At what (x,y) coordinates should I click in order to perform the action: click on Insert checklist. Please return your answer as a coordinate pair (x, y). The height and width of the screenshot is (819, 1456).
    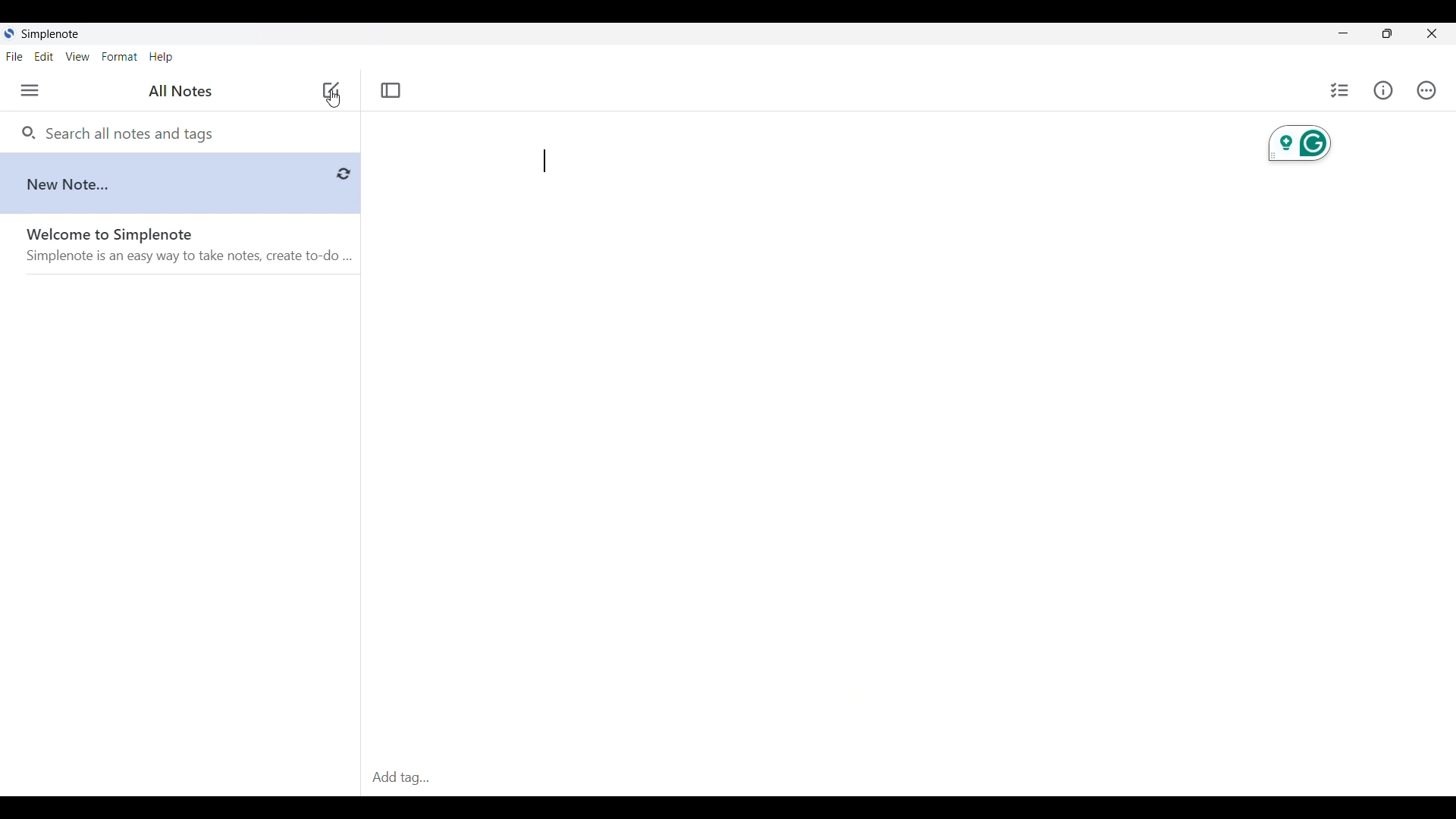
    Looking at the image, I should click on (1341, 90).